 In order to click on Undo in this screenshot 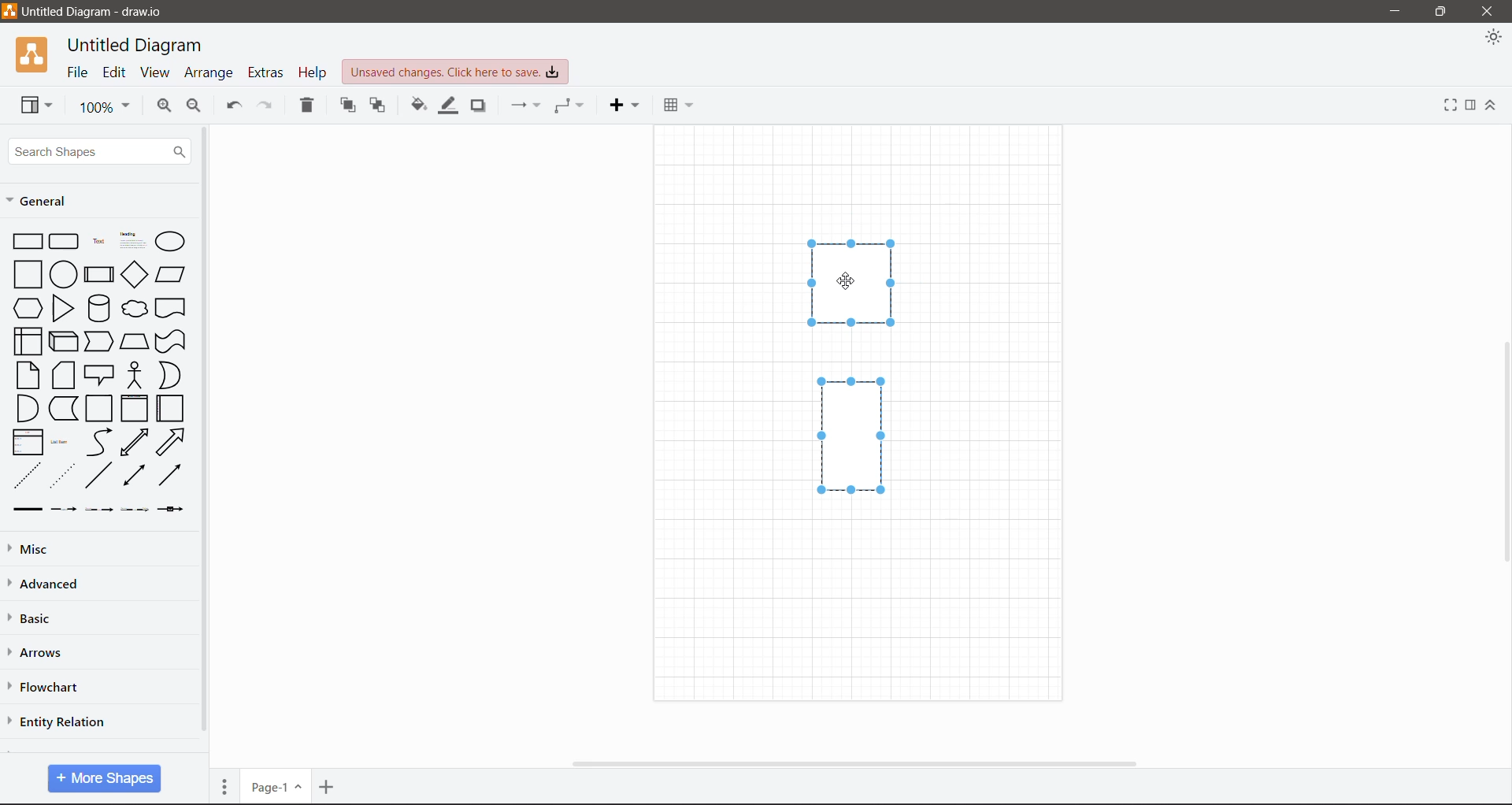, I will do `click(234, 106)`.